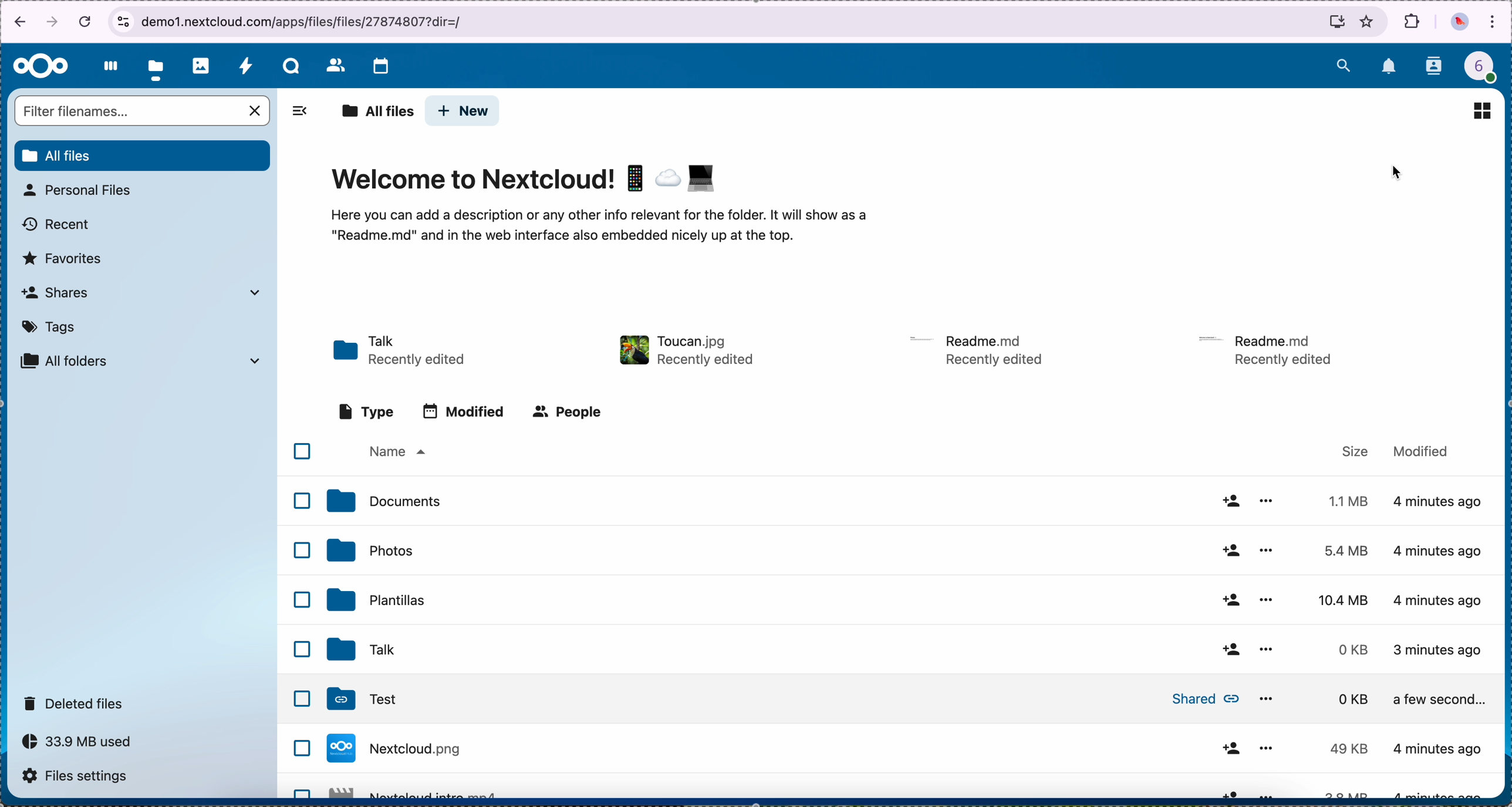 The image size is (1512, 807). Describe the element at coordinates (1338, 792) in the screenshot. I see `12.2 MB` at that location.